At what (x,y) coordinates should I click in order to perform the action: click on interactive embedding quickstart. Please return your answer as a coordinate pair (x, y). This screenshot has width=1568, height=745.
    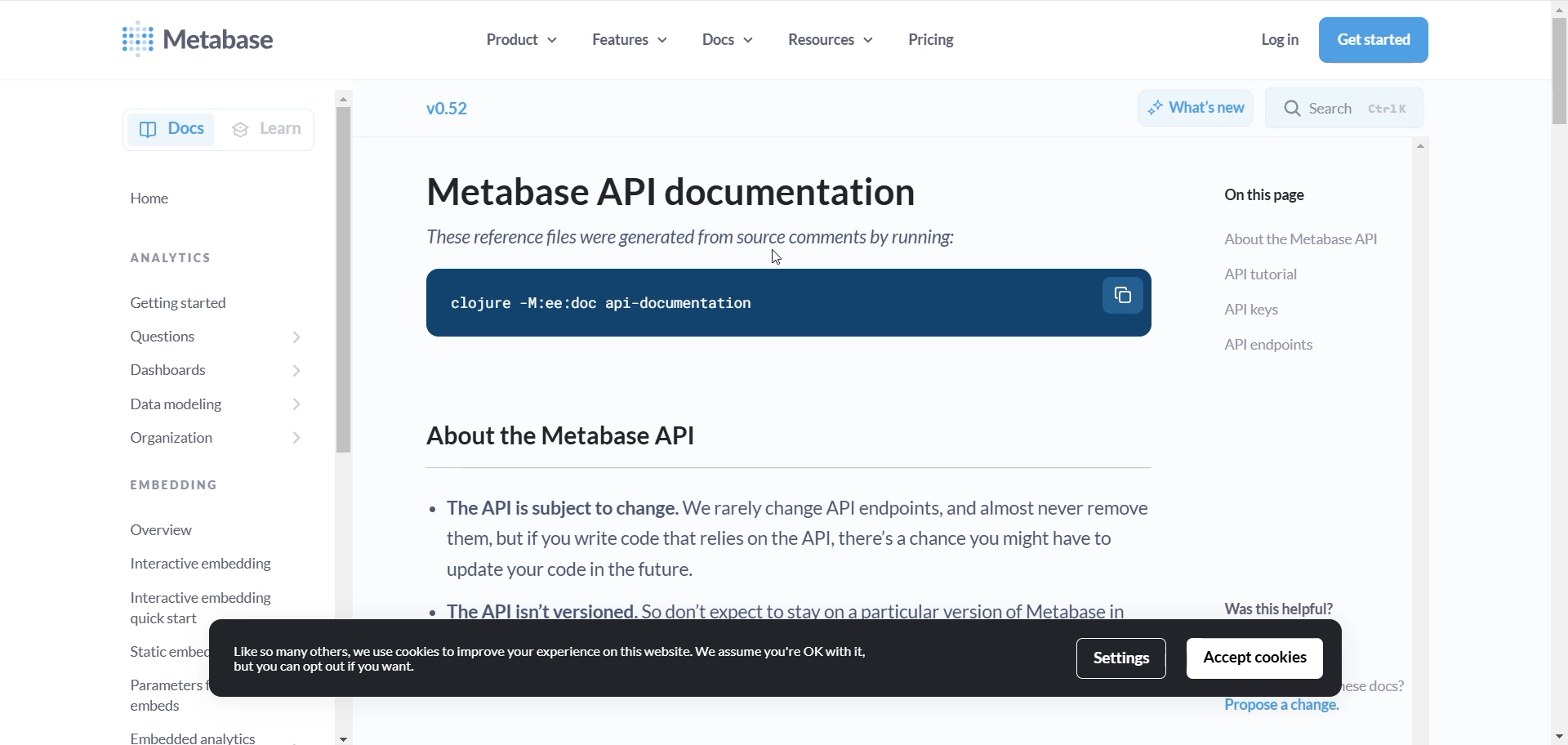
    Looking at the image, I should click on (192, 603).